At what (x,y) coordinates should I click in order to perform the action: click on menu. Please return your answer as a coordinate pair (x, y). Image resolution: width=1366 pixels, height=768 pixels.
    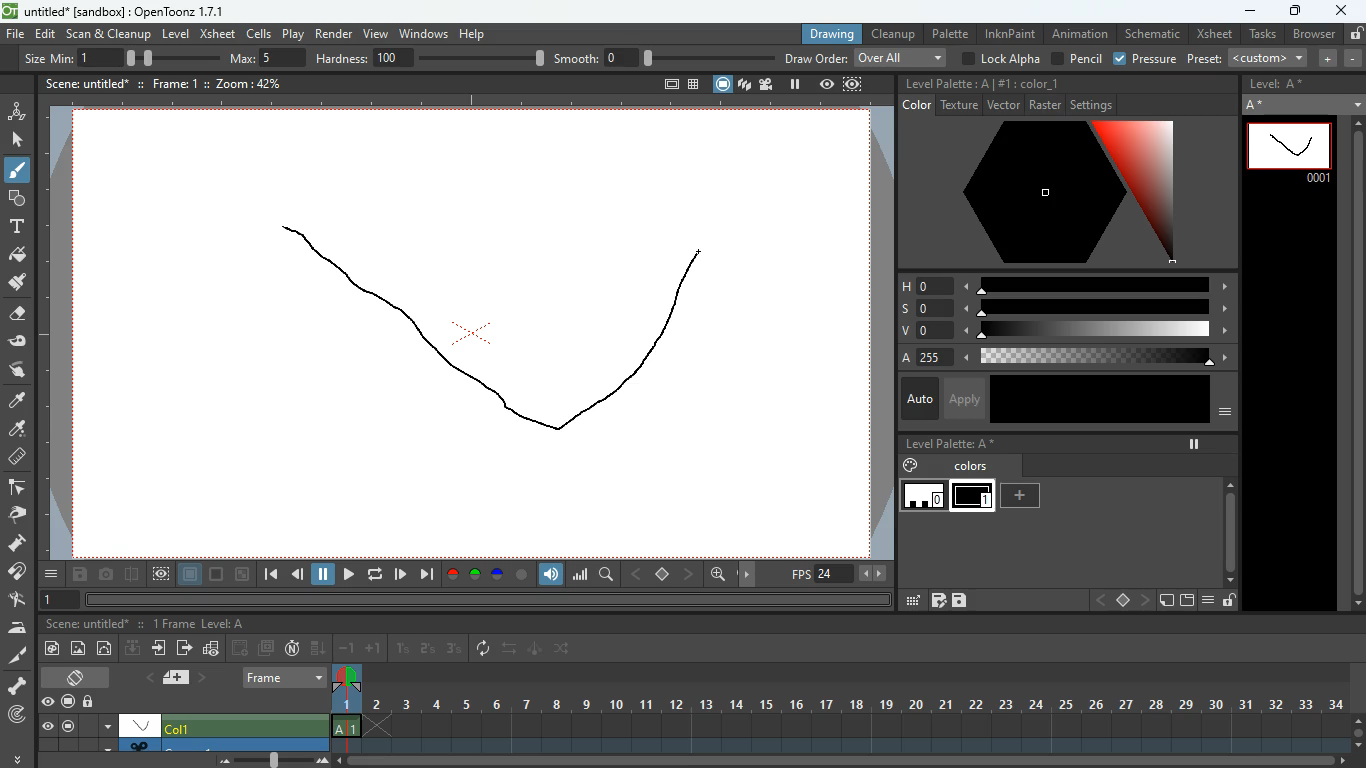
    Looking at the image, I should click on (53, 574).